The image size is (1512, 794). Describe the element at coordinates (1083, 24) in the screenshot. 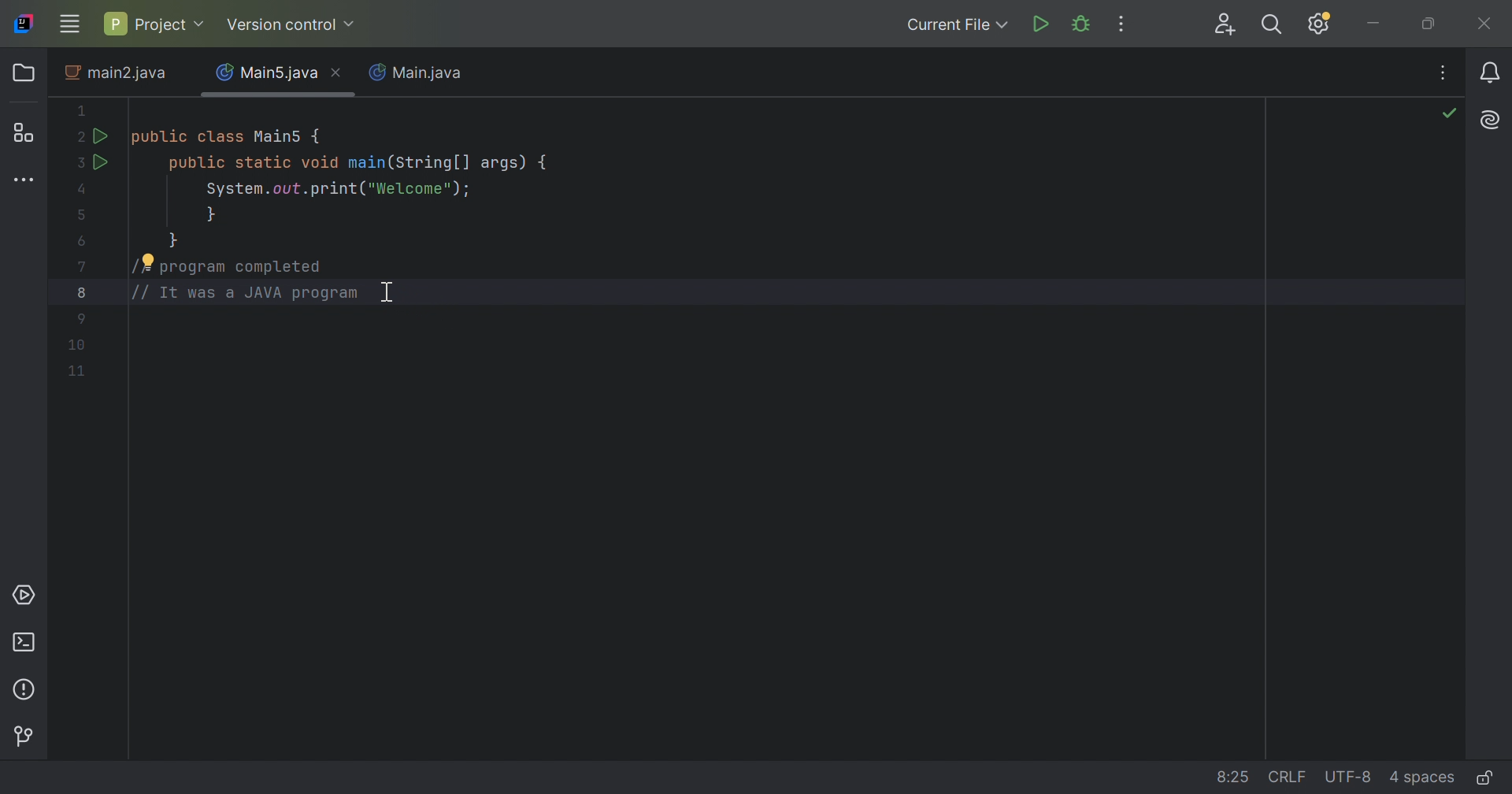

I see `Debug` at that location.